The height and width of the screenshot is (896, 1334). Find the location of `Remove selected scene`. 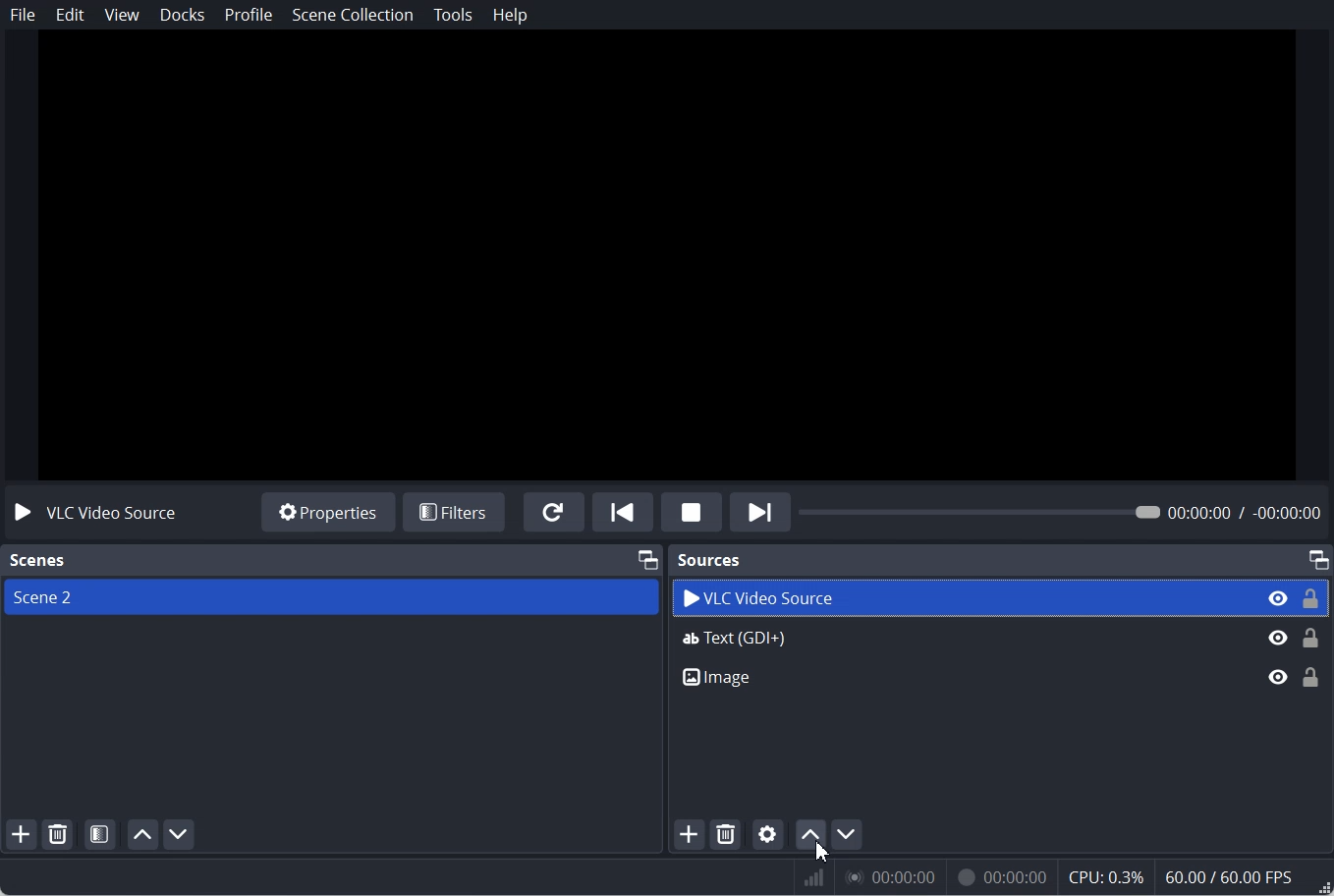

Remove selected scene is located at coordinates (59, 834).